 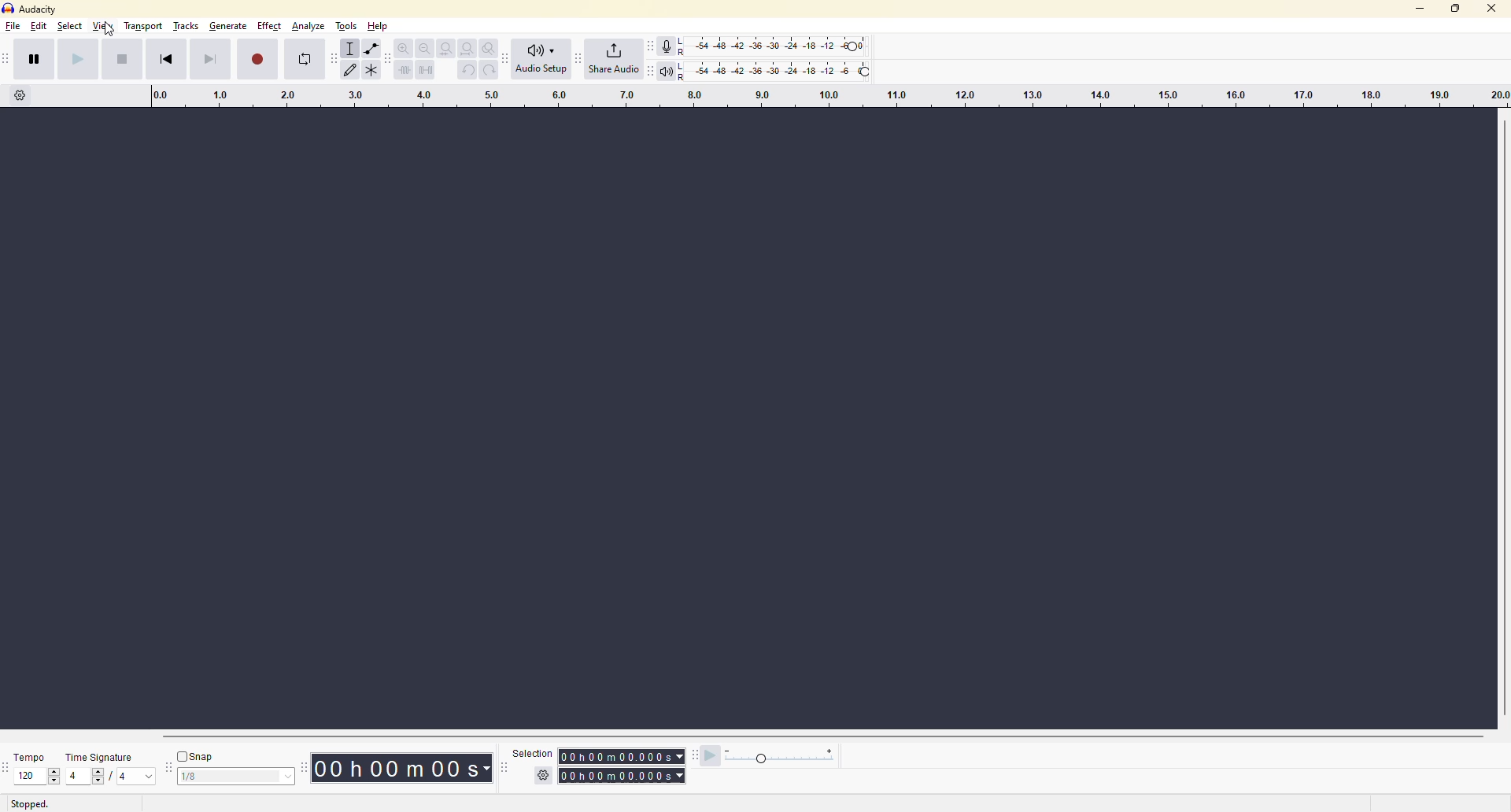 I want to click on skip to start, so click(x=168, y=60).